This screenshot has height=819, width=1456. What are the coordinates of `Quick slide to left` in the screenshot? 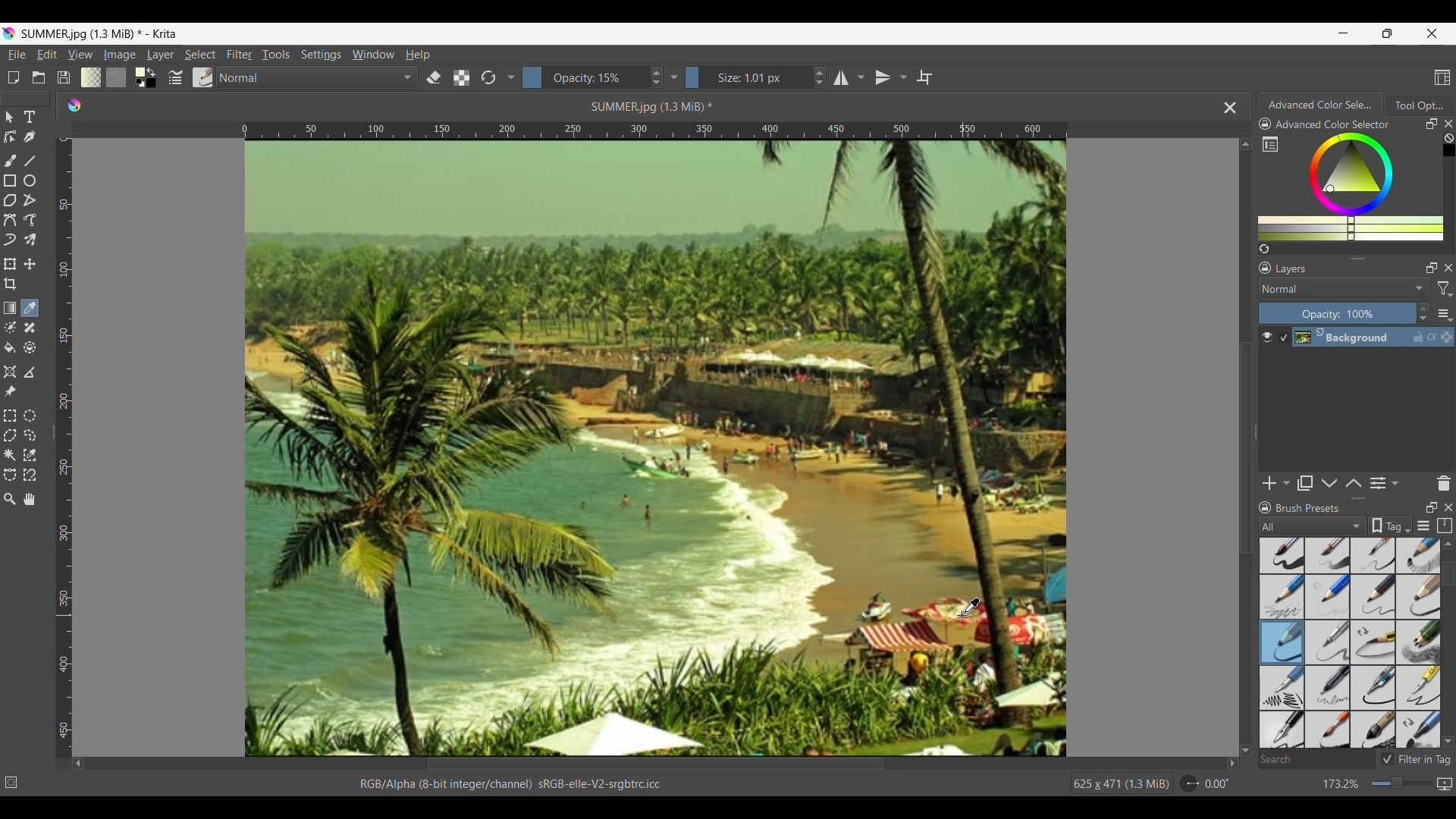 It's located at (78, 764).